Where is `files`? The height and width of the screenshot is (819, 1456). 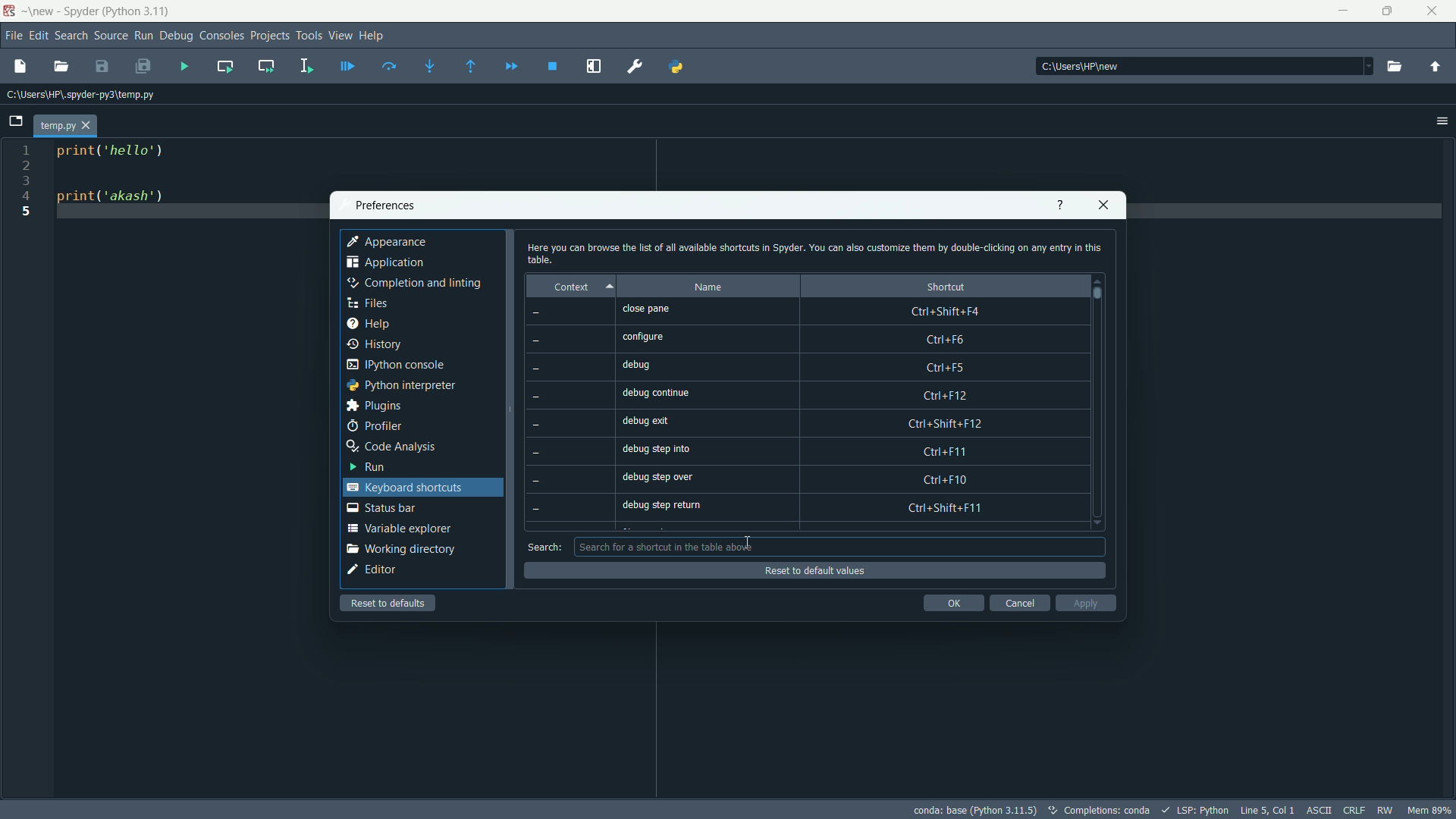 files is located at coordinates (370, 303).